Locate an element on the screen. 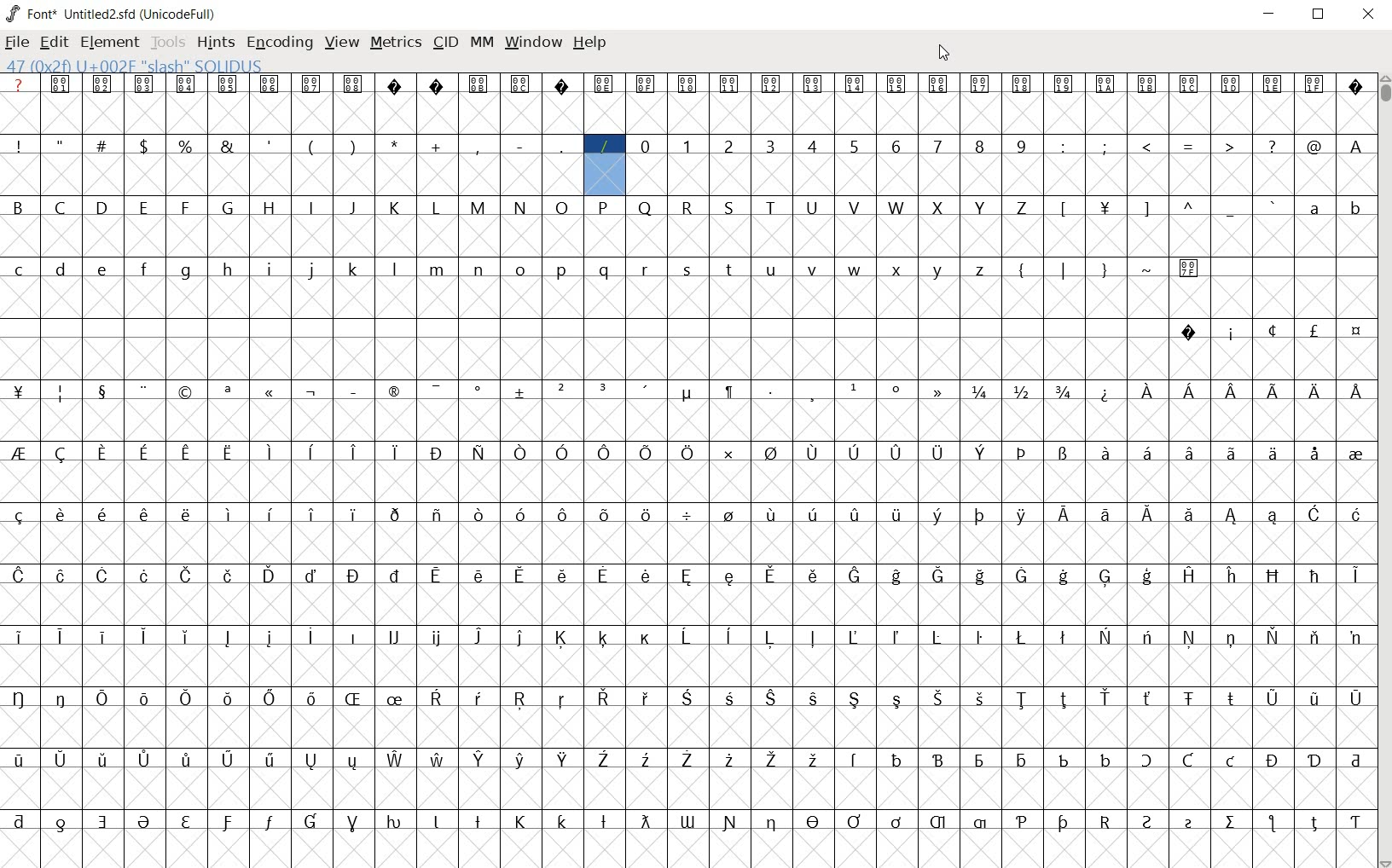 The width and height of the screenshot is (1392, 868). glyph is located at coordinates (1232, 335).